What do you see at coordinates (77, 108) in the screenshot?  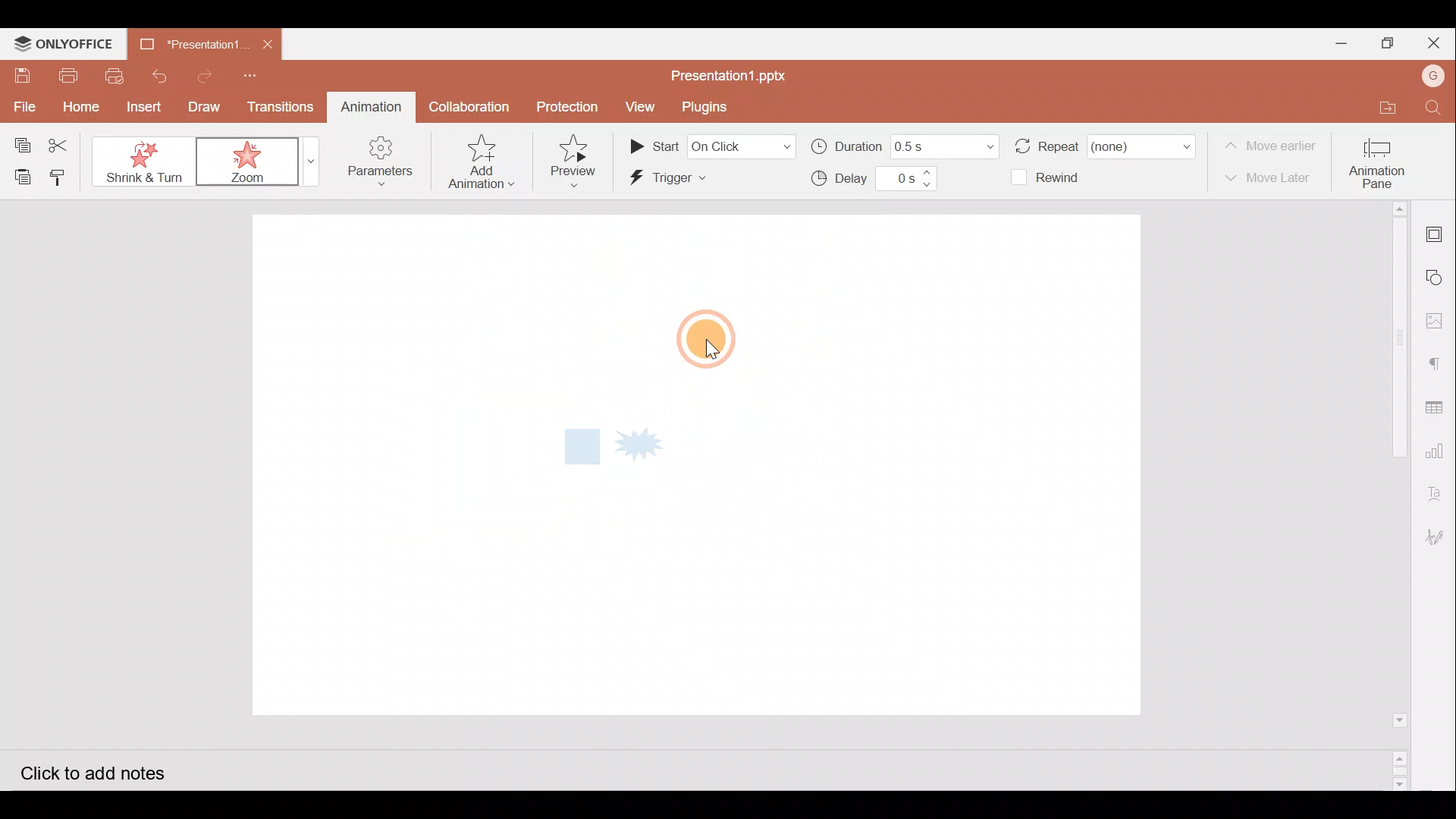 I see `Home` at bounding box center [77, 108].